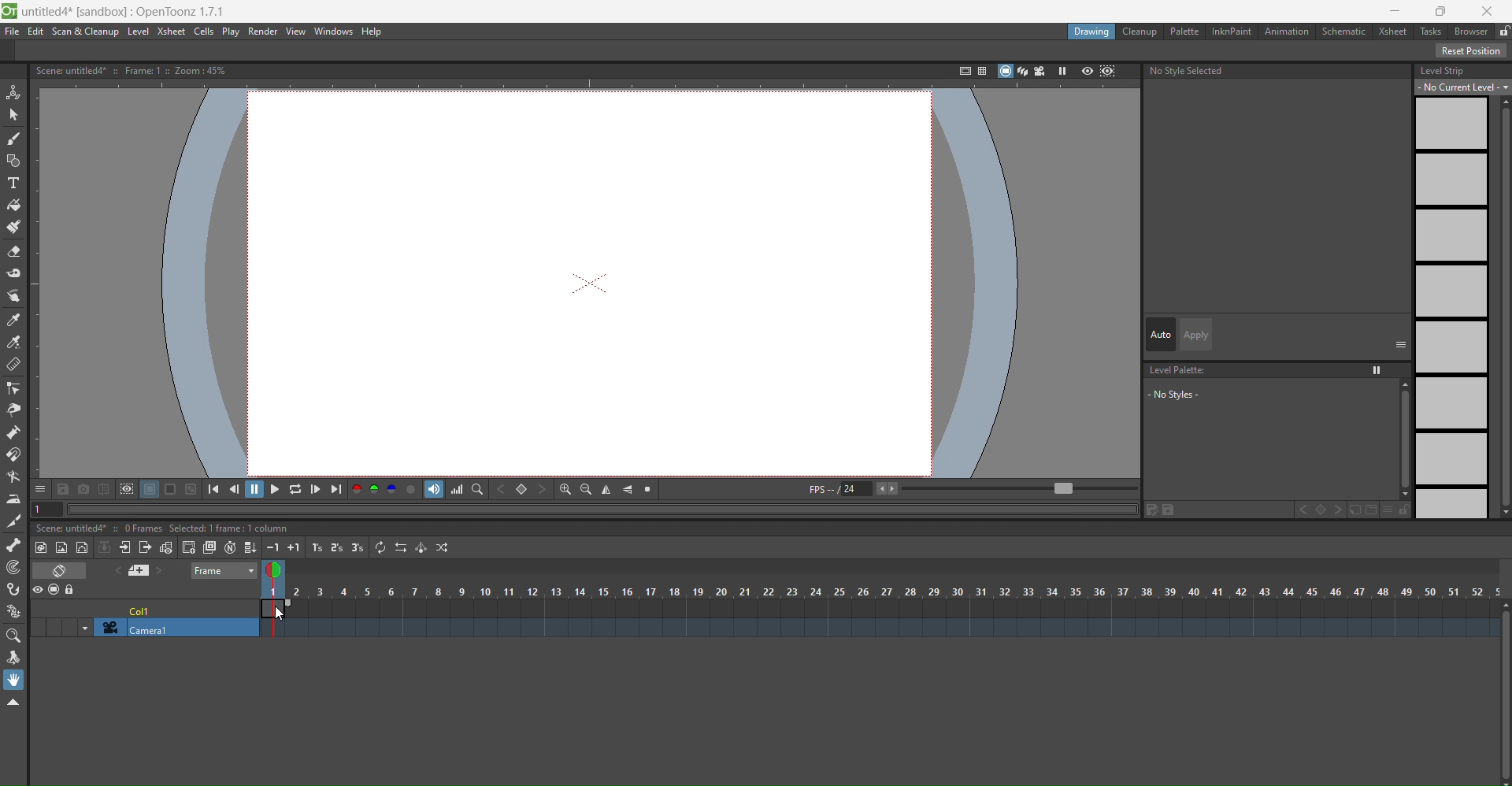 The image size is (1512, 786). Describe the element at coordinates (336, 489) in the screenshot. I see `last frame` at that location.